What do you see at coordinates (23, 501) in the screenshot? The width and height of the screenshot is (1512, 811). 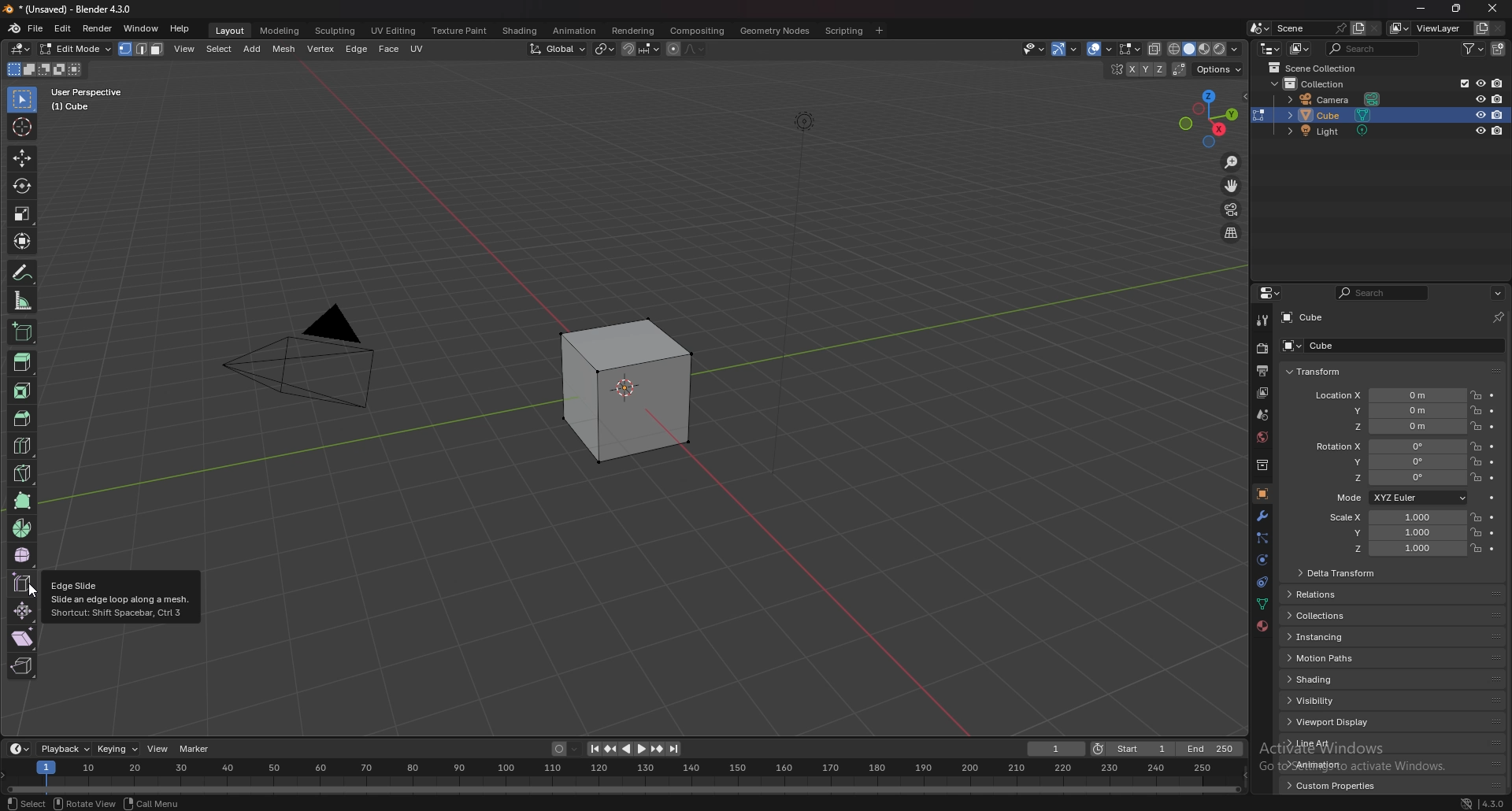 I see `poly build` at bounding box center [23, 501].